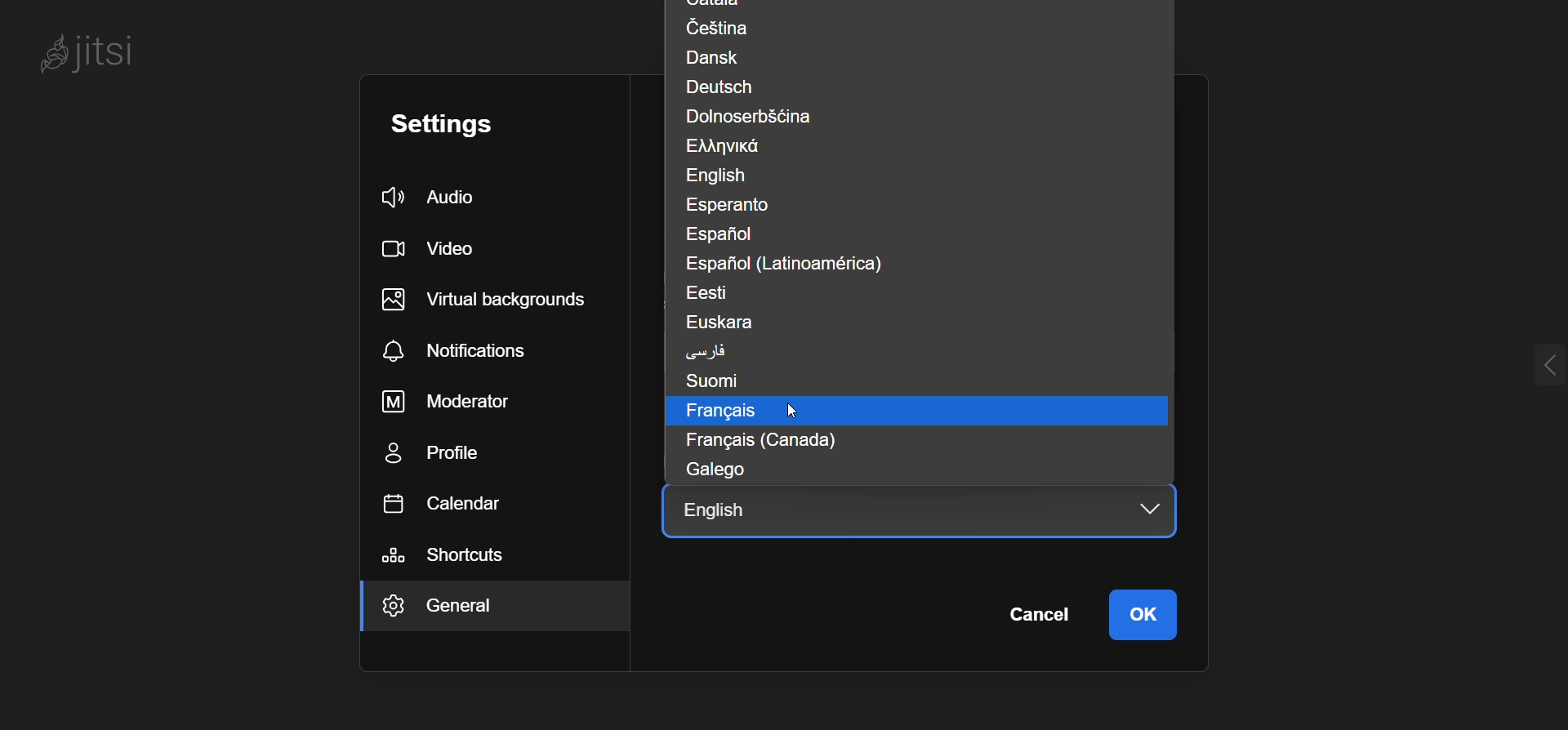 The height and width of the screenshot is (730, 1568). What do you see at coordinates (726, 234) in the screenshot?
I see `Espaiiol` at bounding box center [726, 234].